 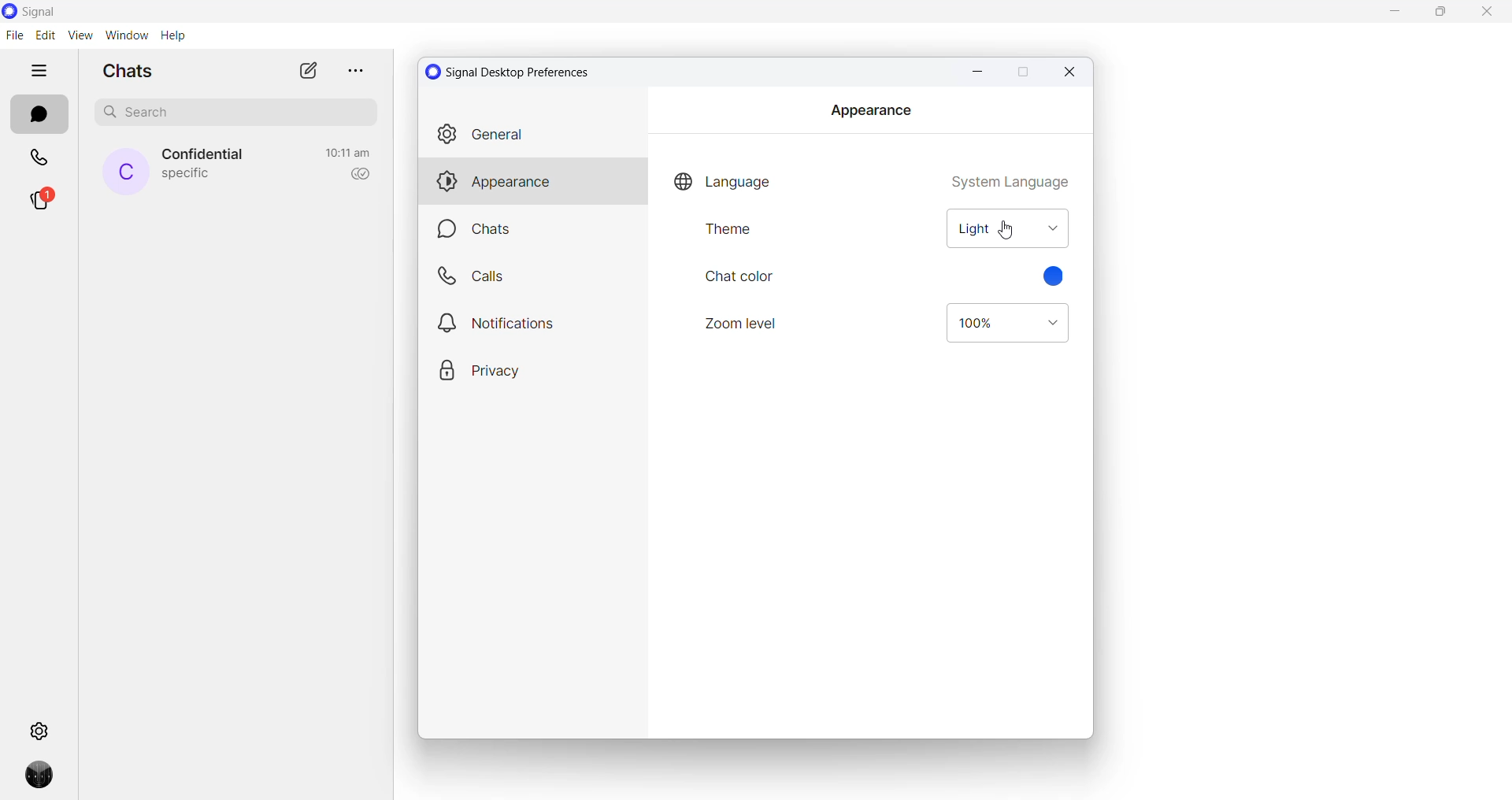 I want to click on desktop preferences heading, so click(x=512, y=72).